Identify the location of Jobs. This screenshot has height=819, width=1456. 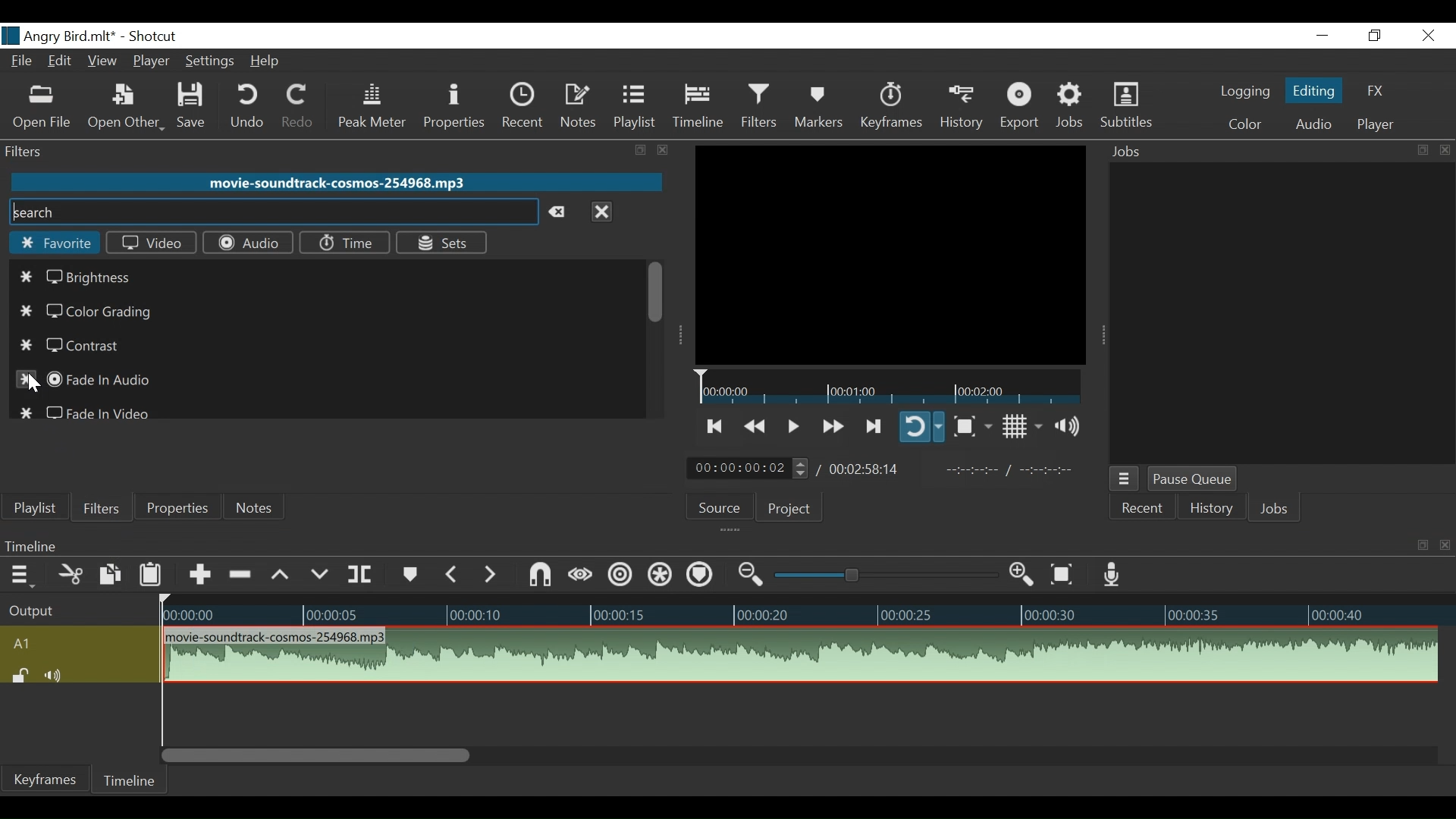
(1072, 108).